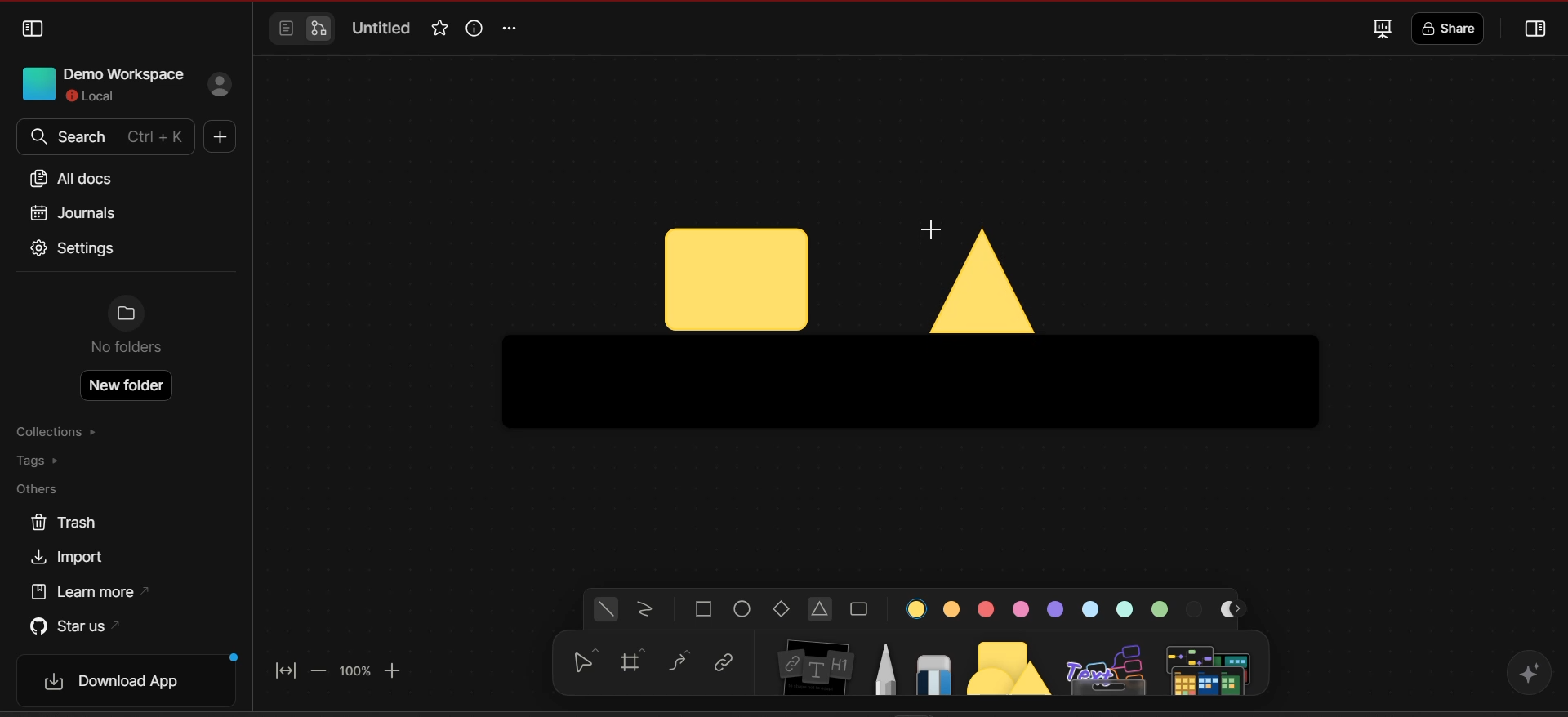 This screenshot has height=717, width=1568. What do you see at coordinates (918, 608) in the screenshot?
I see `color 1` at bounding box center [918, 608].